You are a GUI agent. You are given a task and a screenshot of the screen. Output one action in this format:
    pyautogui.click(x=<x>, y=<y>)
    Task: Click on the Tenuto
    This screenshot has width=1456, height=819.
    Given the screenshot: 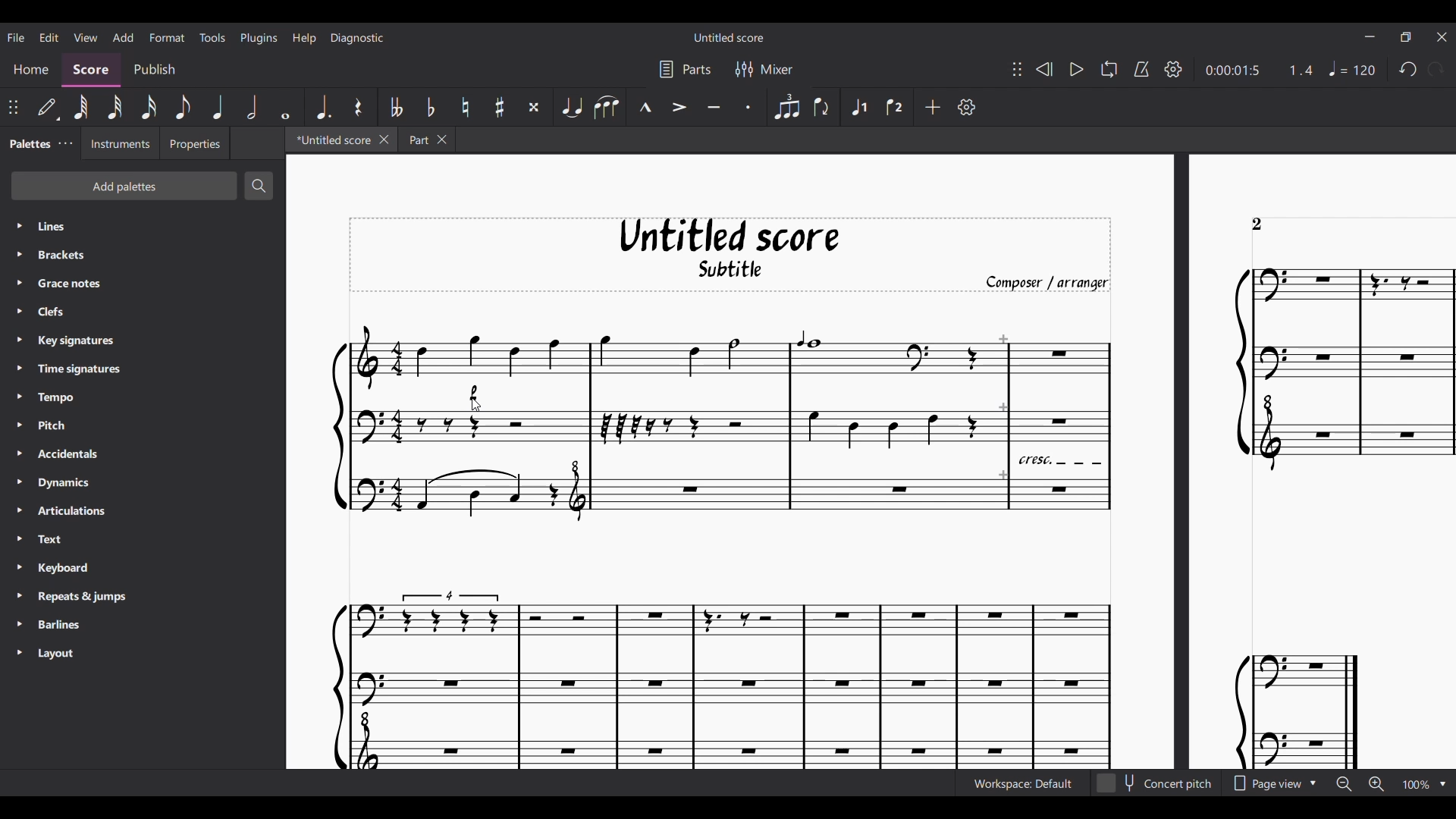 What is the action you would take?
    pyautogui.click(x=714, y=106)
    